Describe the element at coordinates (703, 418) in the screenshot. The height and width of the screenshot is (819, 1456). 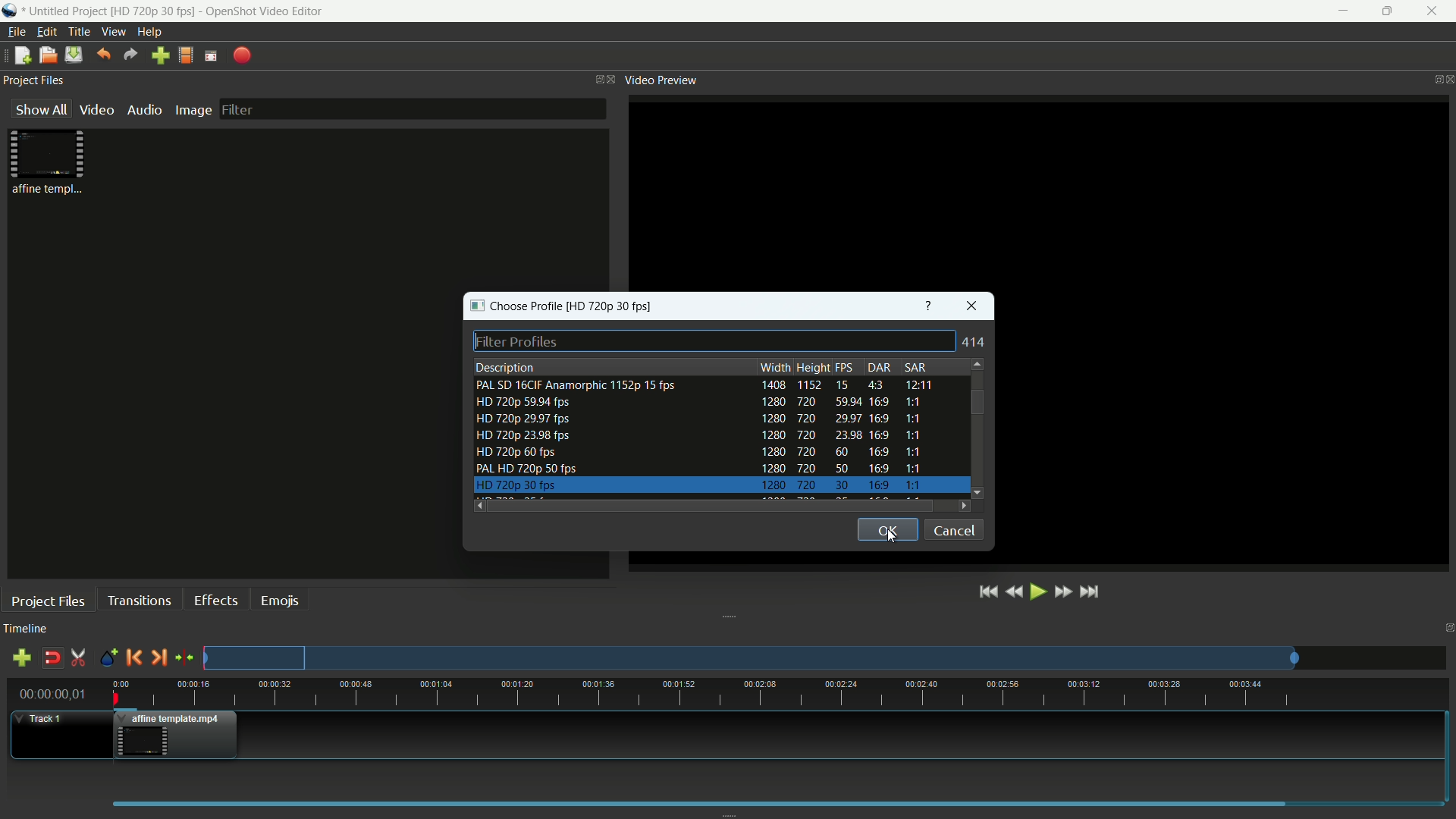
I see `profile-4` at that location.